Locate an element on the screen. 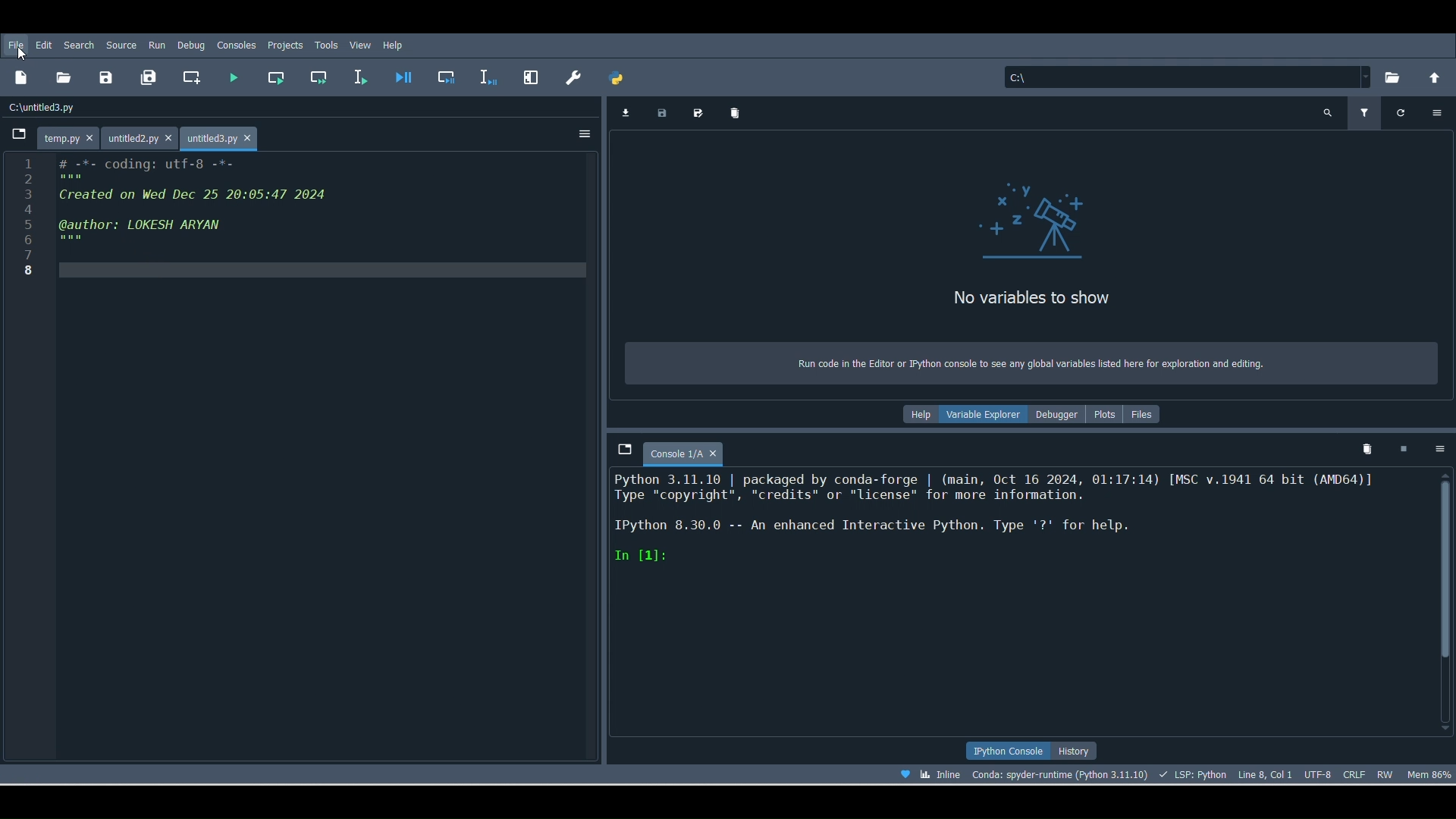 This screenshot has width=1456, height=819. Edit is located at coordinates (44, 45).